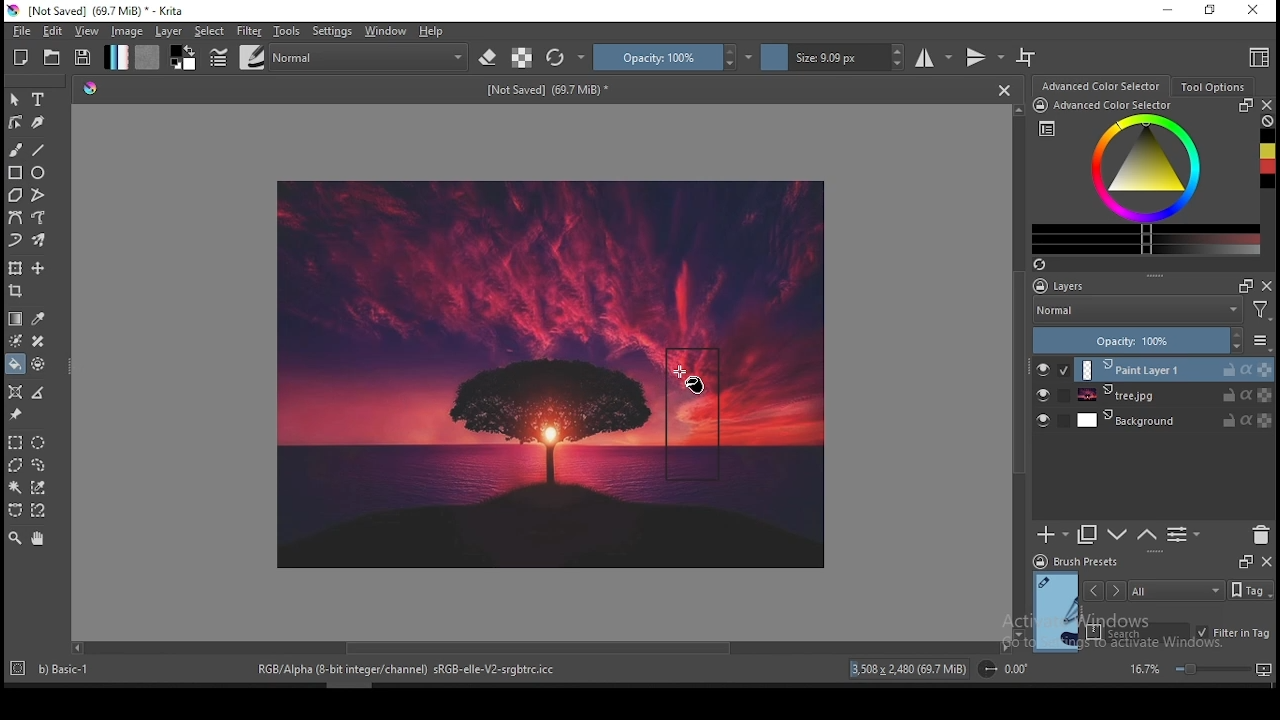 The image size is (1280, 720). Describe the element at coordinates (408, 670) in the screenshot. I see `'RGB/Alpha (8-bit integer/channel) sRGB-elle-V2-srgbtre.icc` at that location.